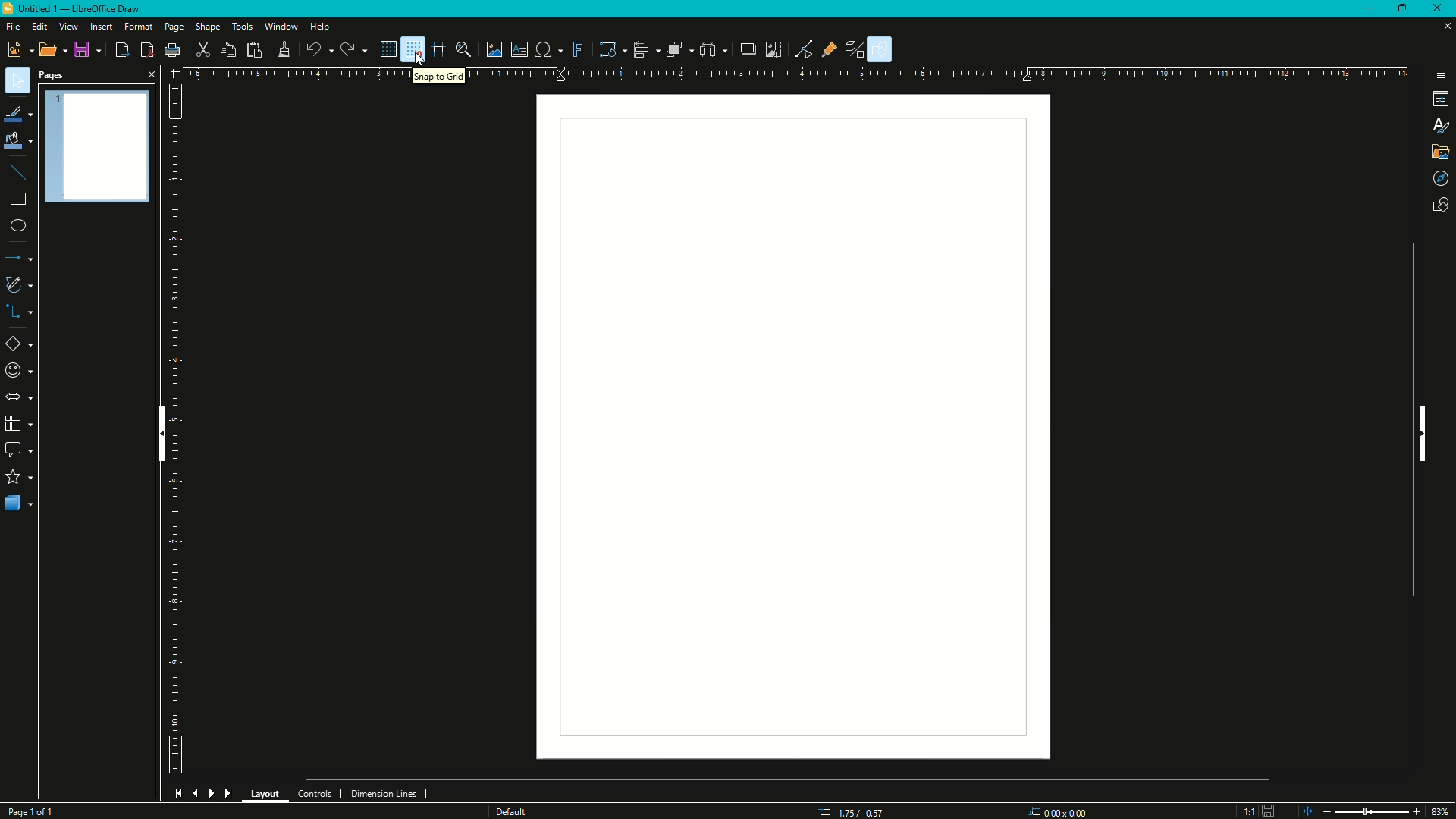 The height and width of the screenshot is (819, 1456). I want to click on Close sheet, so click(1441, 30).